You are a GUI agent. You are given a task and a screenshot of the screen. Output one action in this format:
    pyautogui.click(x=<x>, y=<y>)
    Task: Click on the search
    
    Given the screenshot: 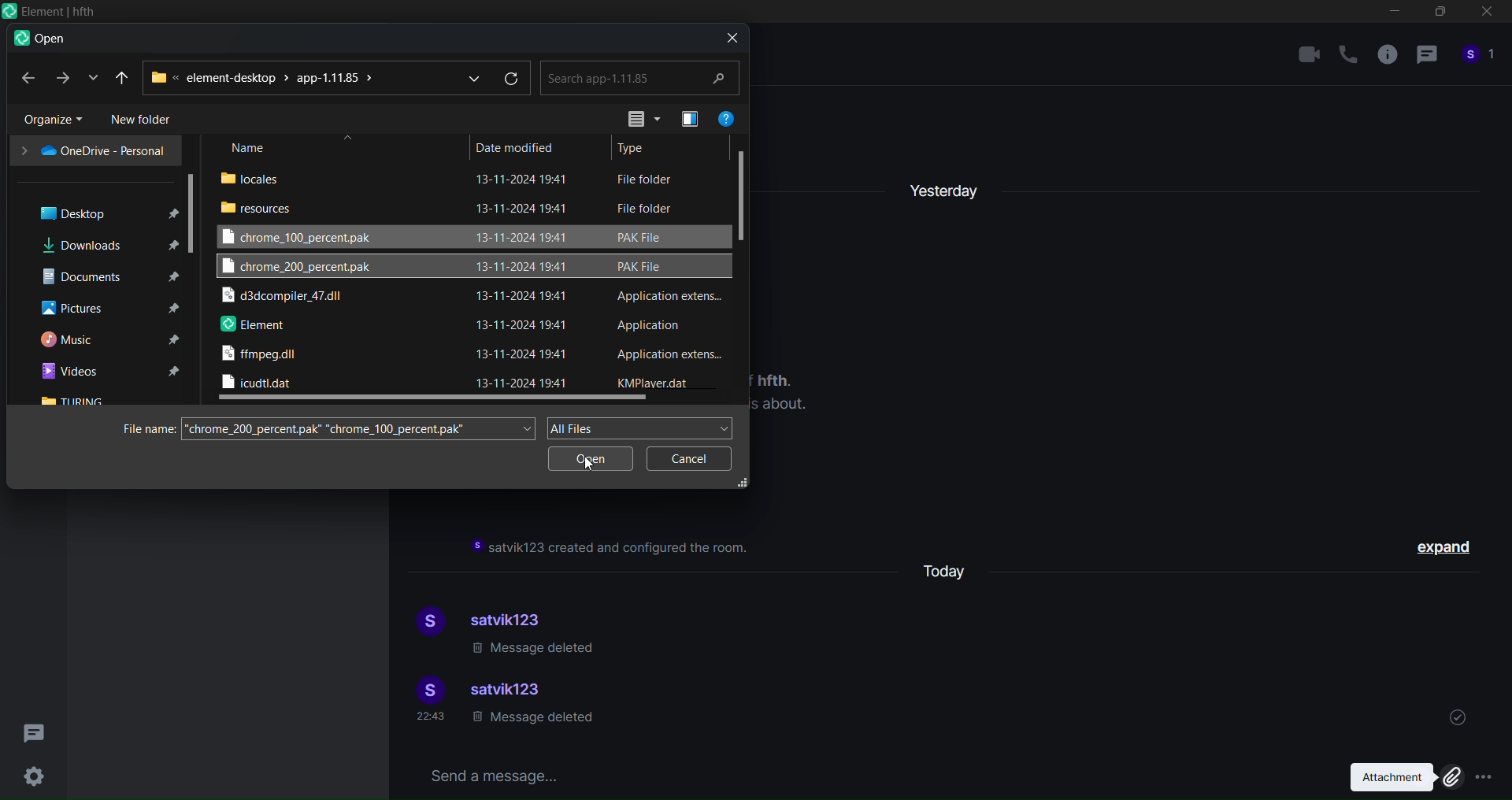 What is the action you would take?
    pyautogui.click(x=641, y=77)
    